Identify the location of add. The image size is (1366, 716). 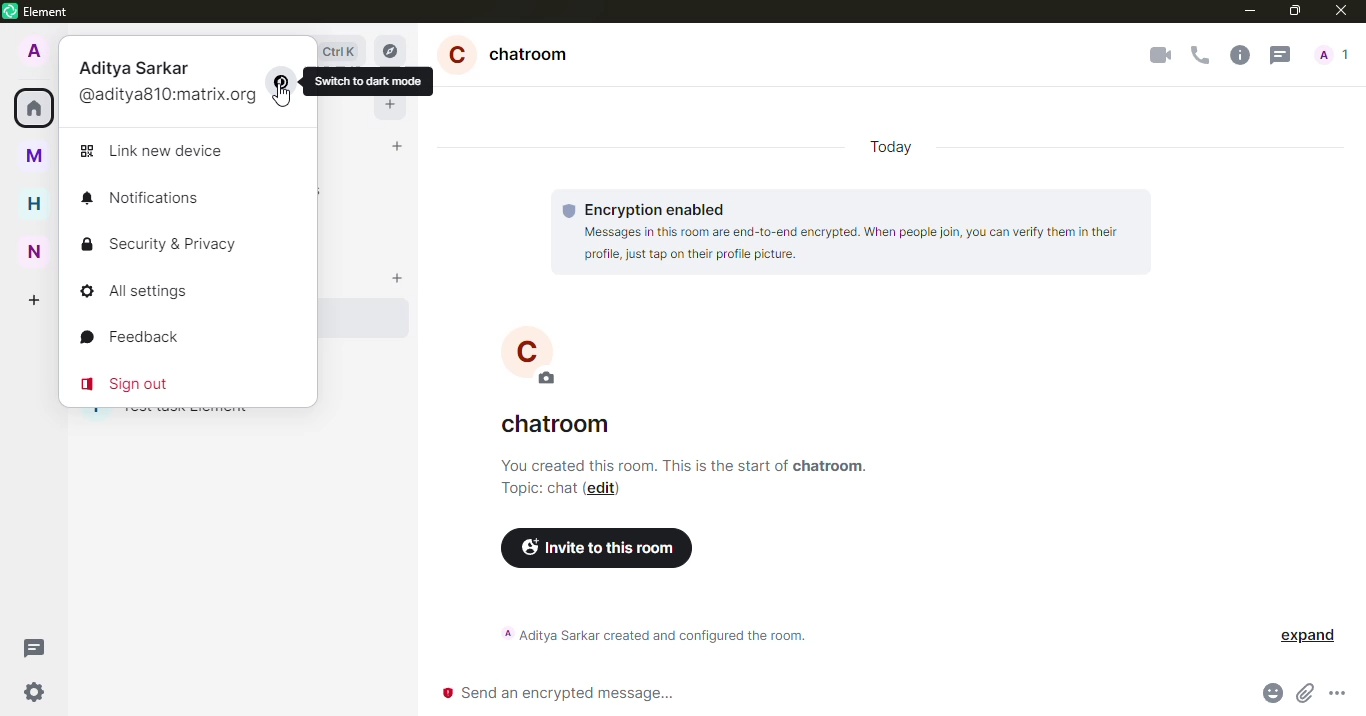
(392, 105).